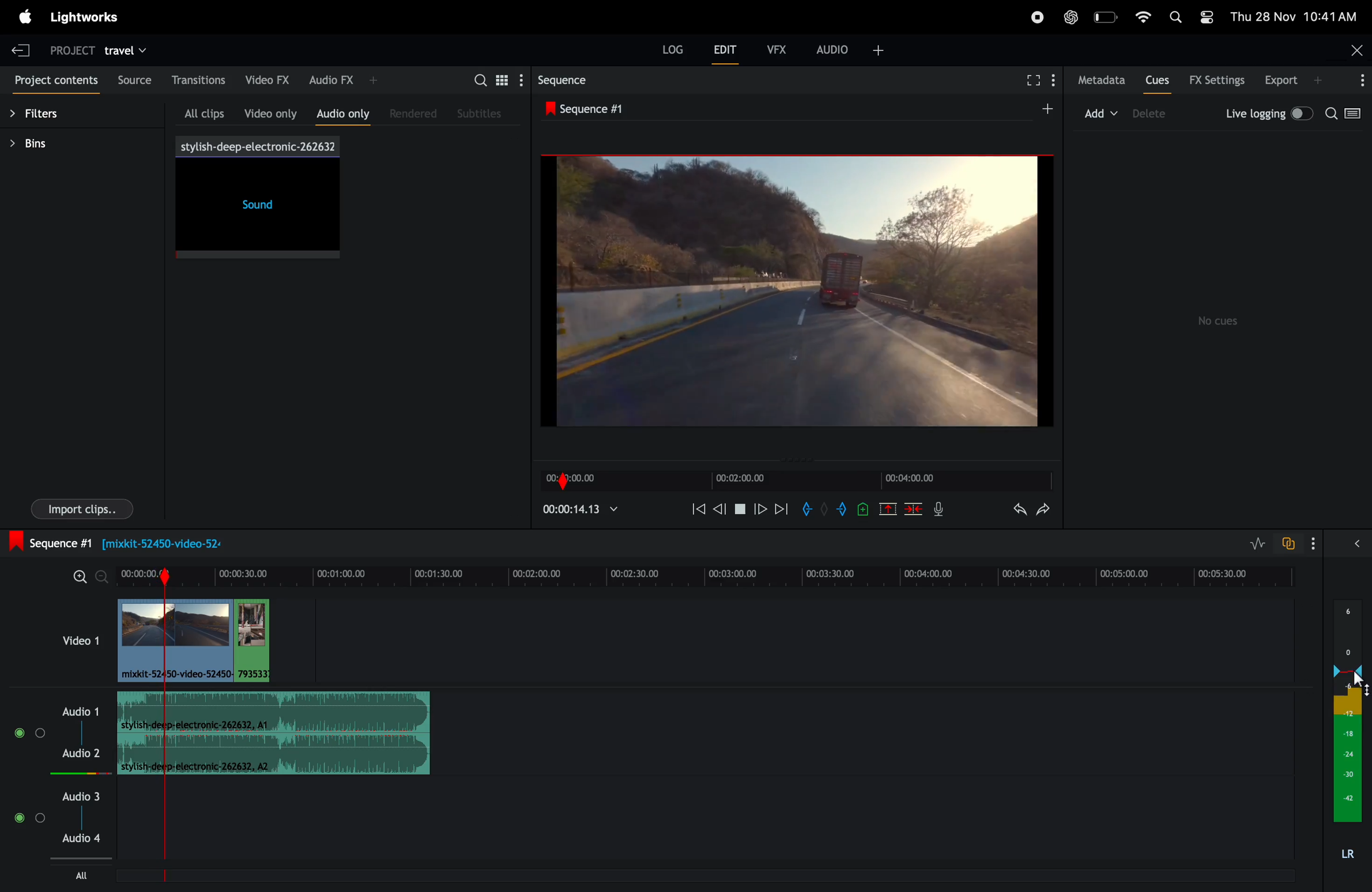 The height and width of the screenshot is (892, 1372). I want to click on rendered, so click(411, 114).